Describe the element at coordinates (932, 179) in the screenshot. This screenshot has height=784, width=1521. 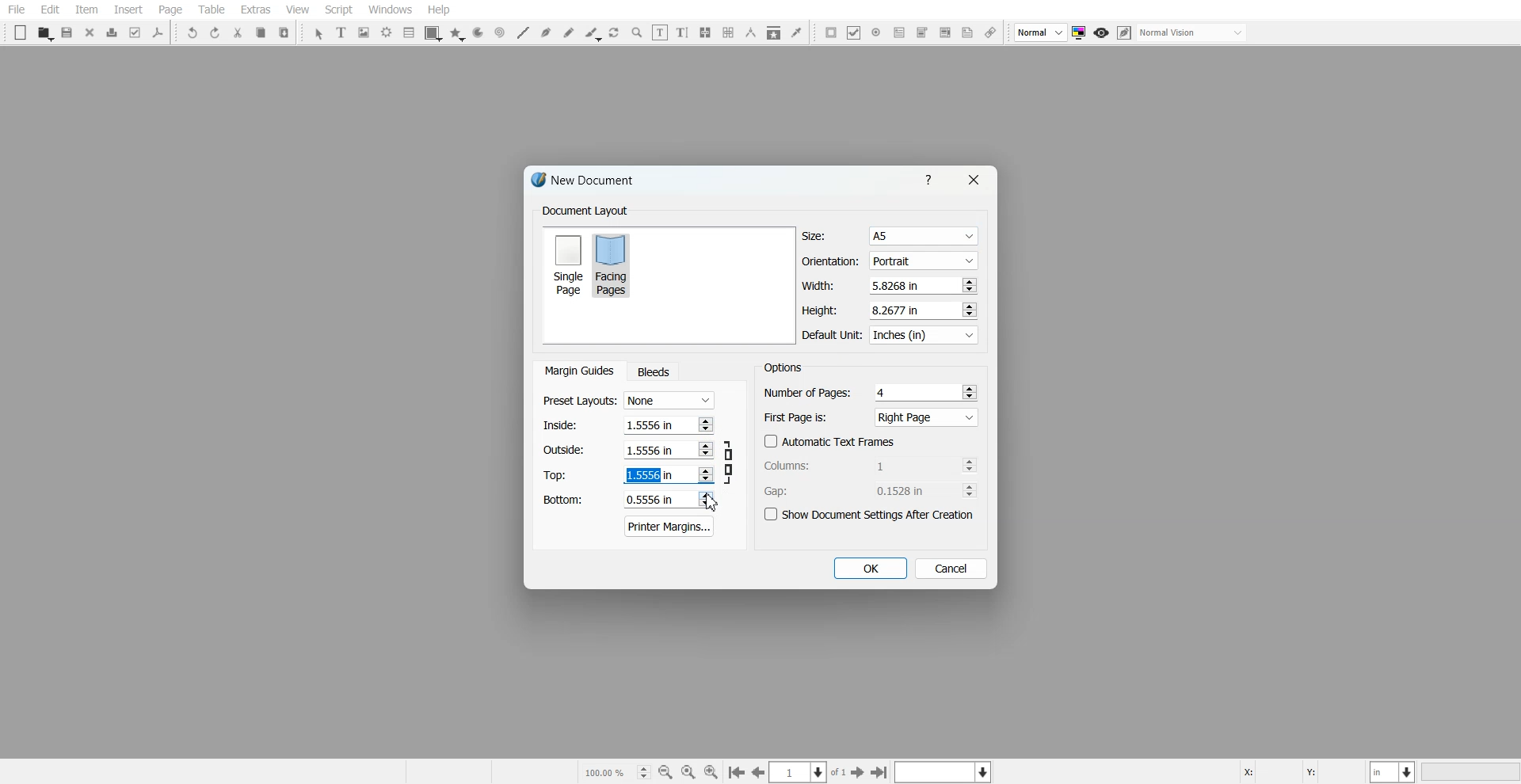
I see `Help` at that location.